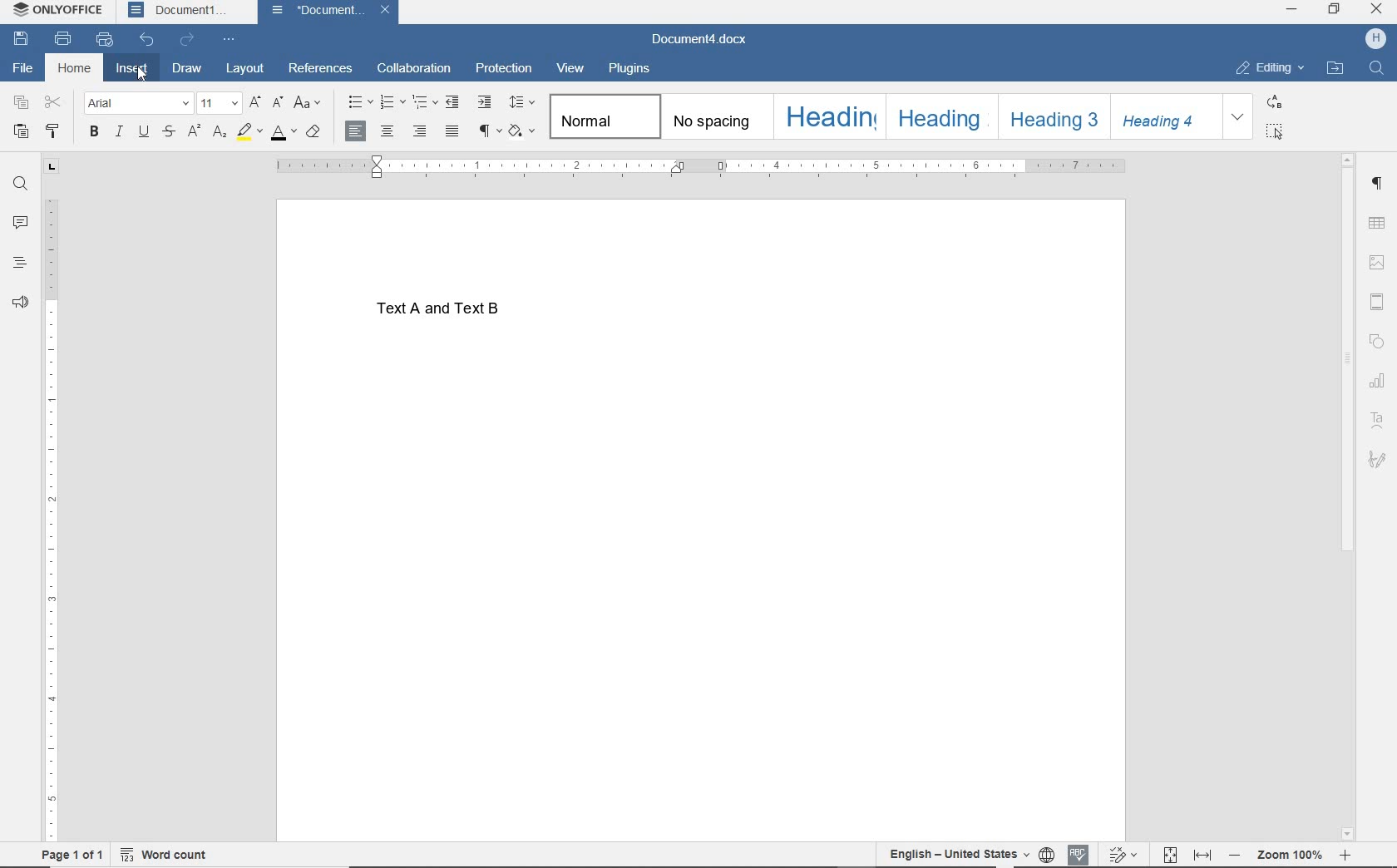 The image size is (1397, 868). Describe the element at coordinates (168, 133) in the screenshot. I see `STRIKETHROUGH` at that location.